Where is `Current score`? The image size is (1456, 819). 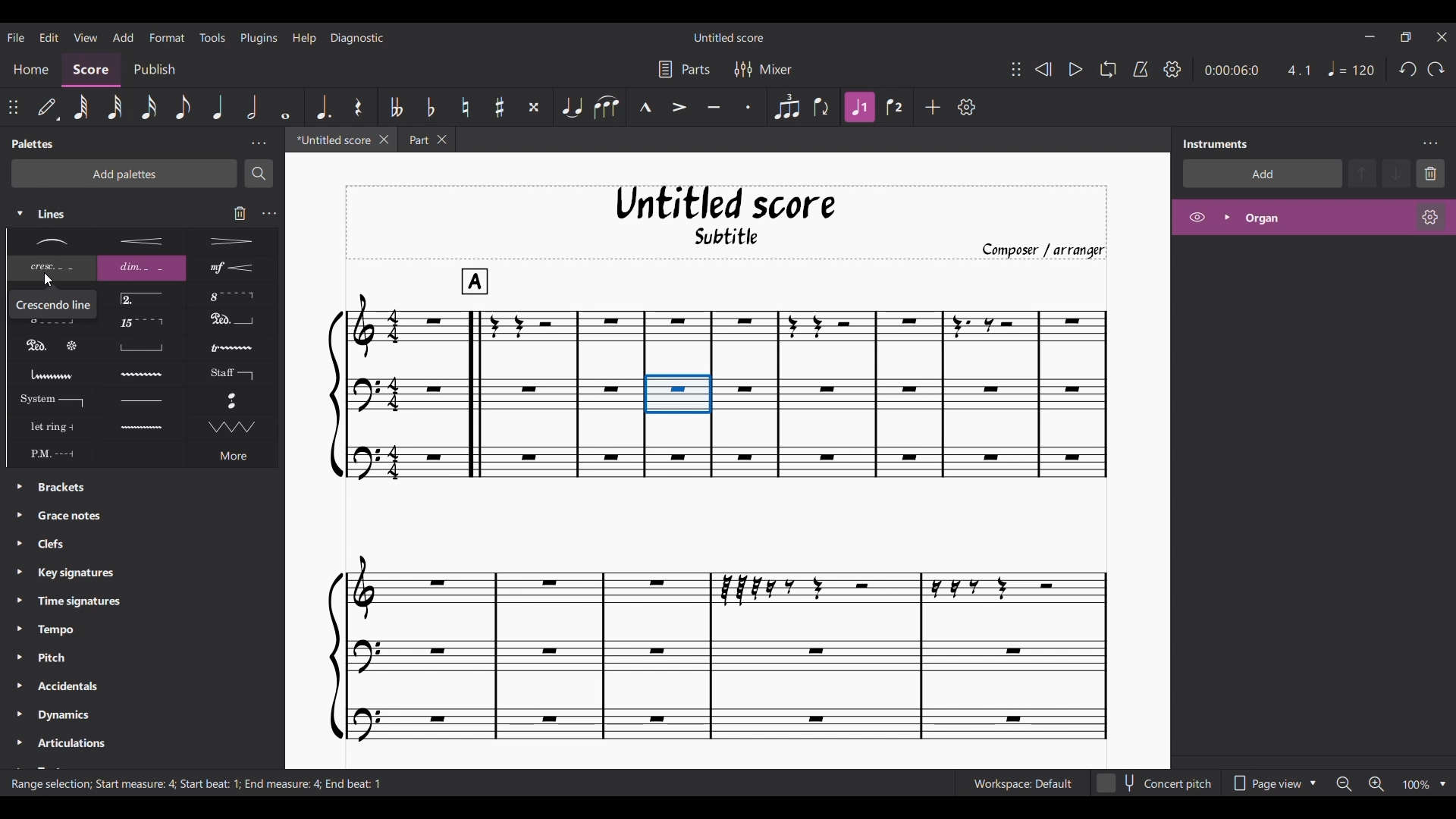 Current score is located at coordinates (717, 505).